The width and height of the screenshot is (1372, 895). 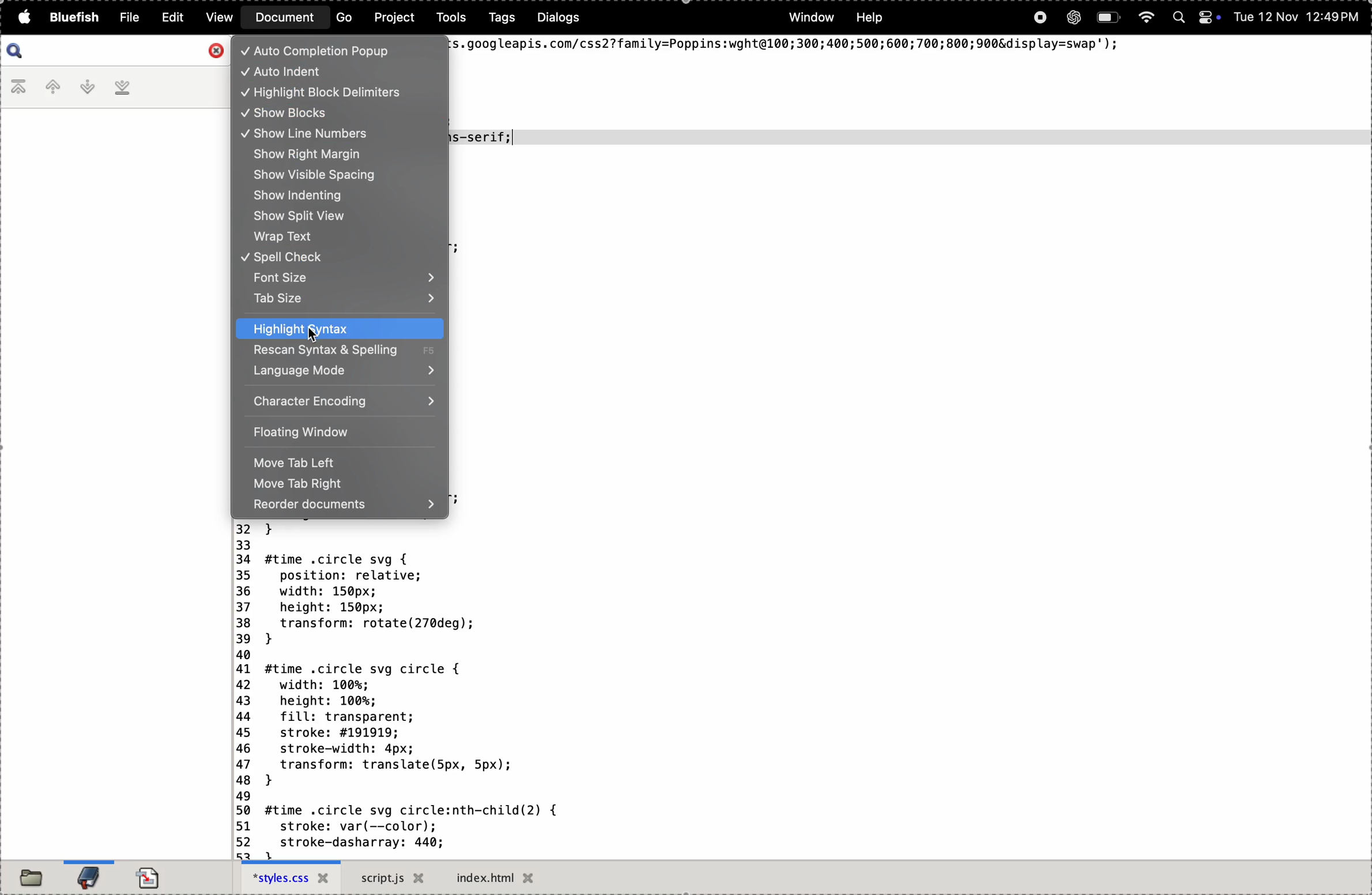 What do you see at coordinates (54, 87) in the screenshot?
I see `previous bookmark` at bounding box center [54, 87].